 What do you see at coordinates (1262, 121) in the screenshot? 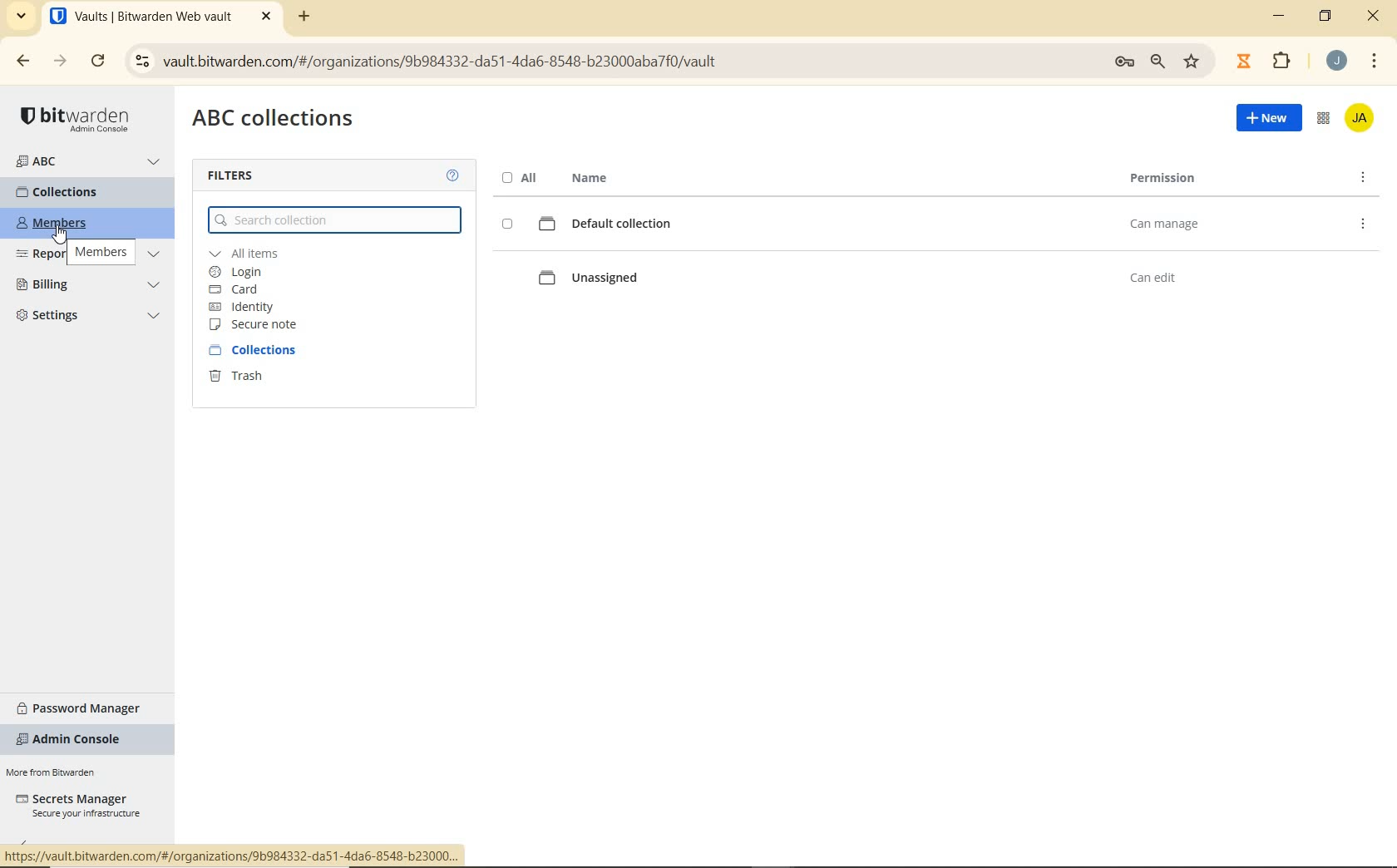
I see `NEW` at bounding box center [1262, 121].